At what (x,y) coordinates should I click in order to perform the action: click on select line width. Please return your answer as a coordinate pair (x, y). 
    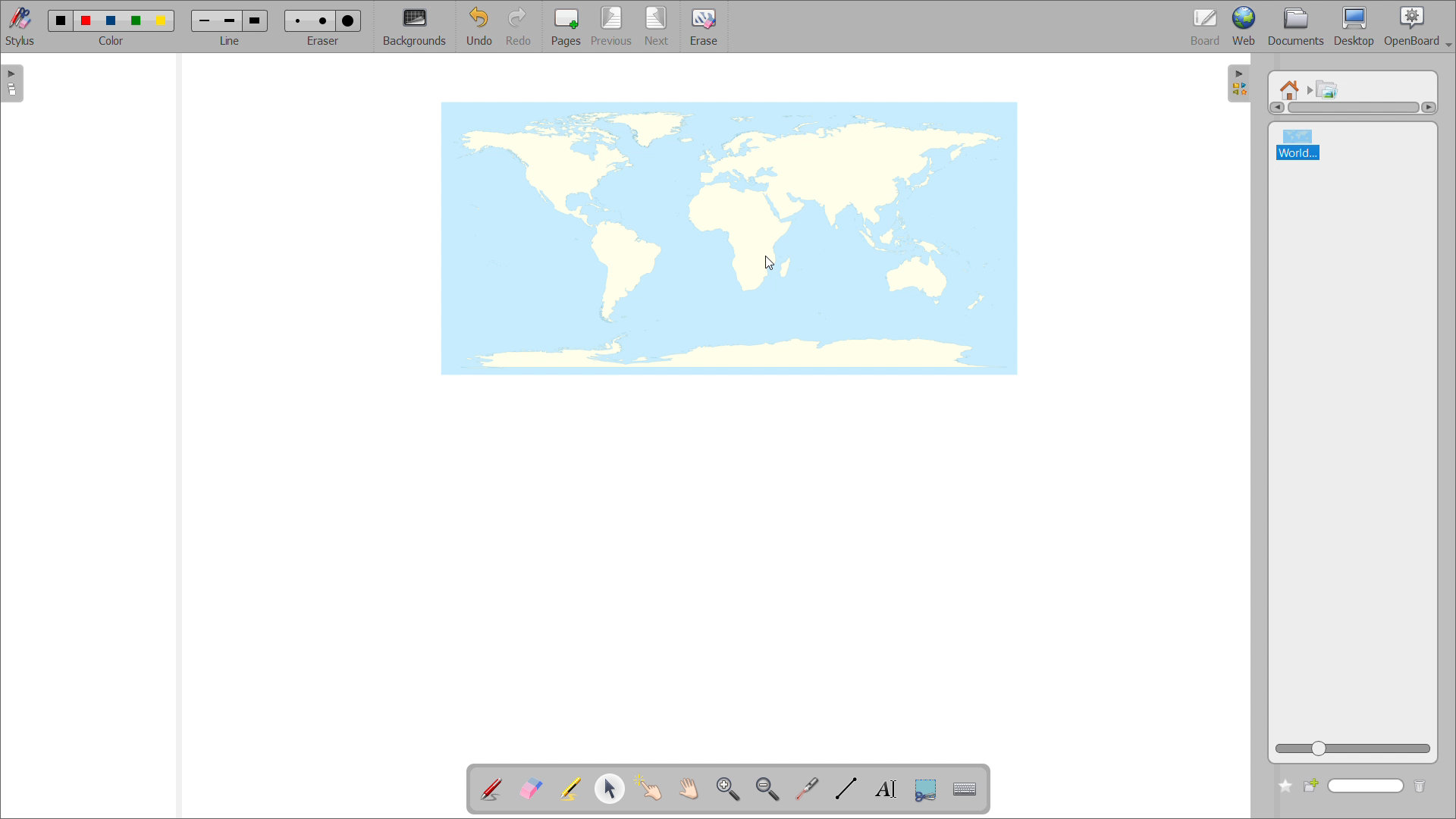
    Looking at the image, I should click on (230, 27).